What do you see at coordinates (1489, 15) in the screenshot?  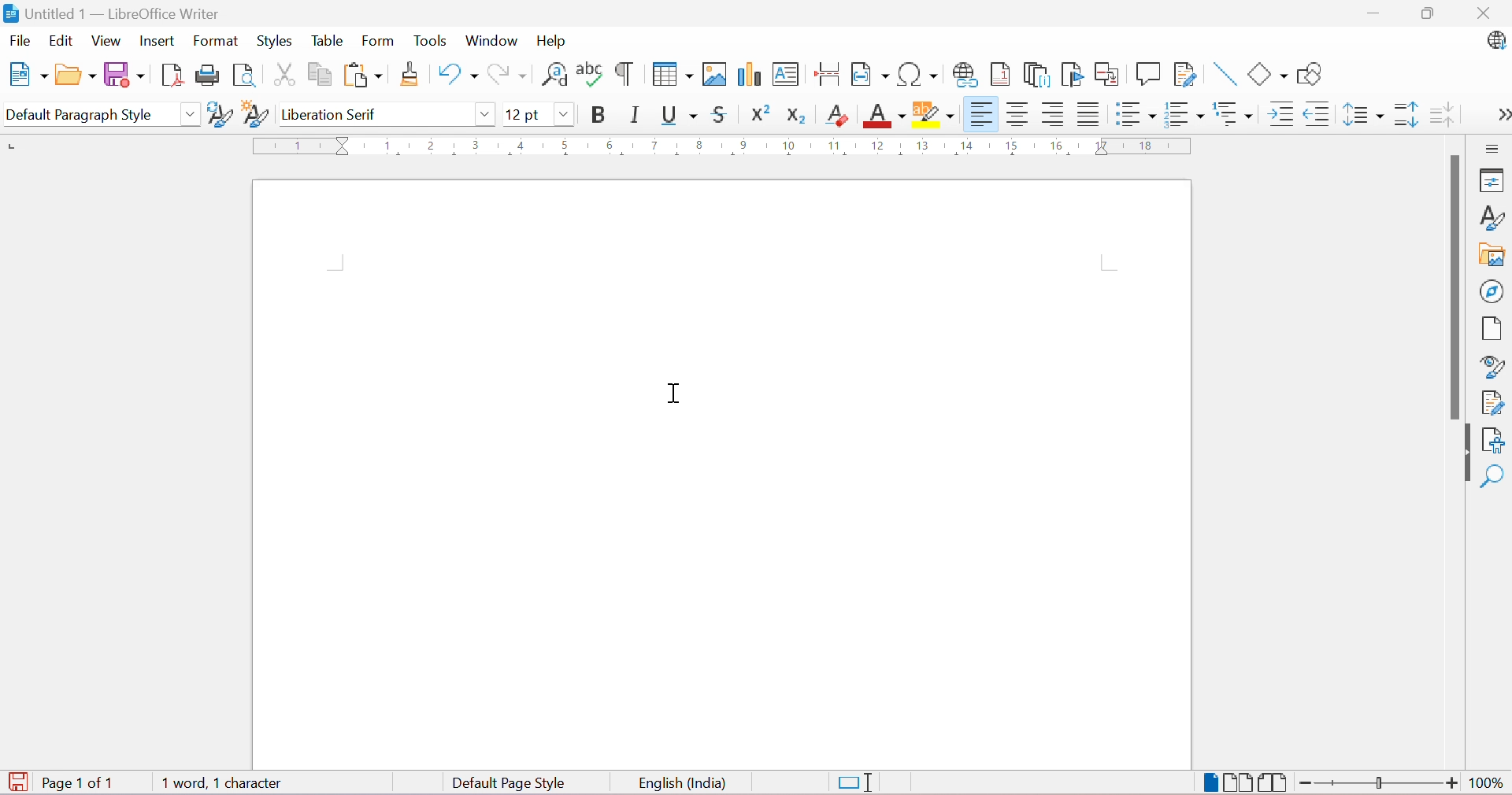 I see `Close` at bounding box center [1489, 15].